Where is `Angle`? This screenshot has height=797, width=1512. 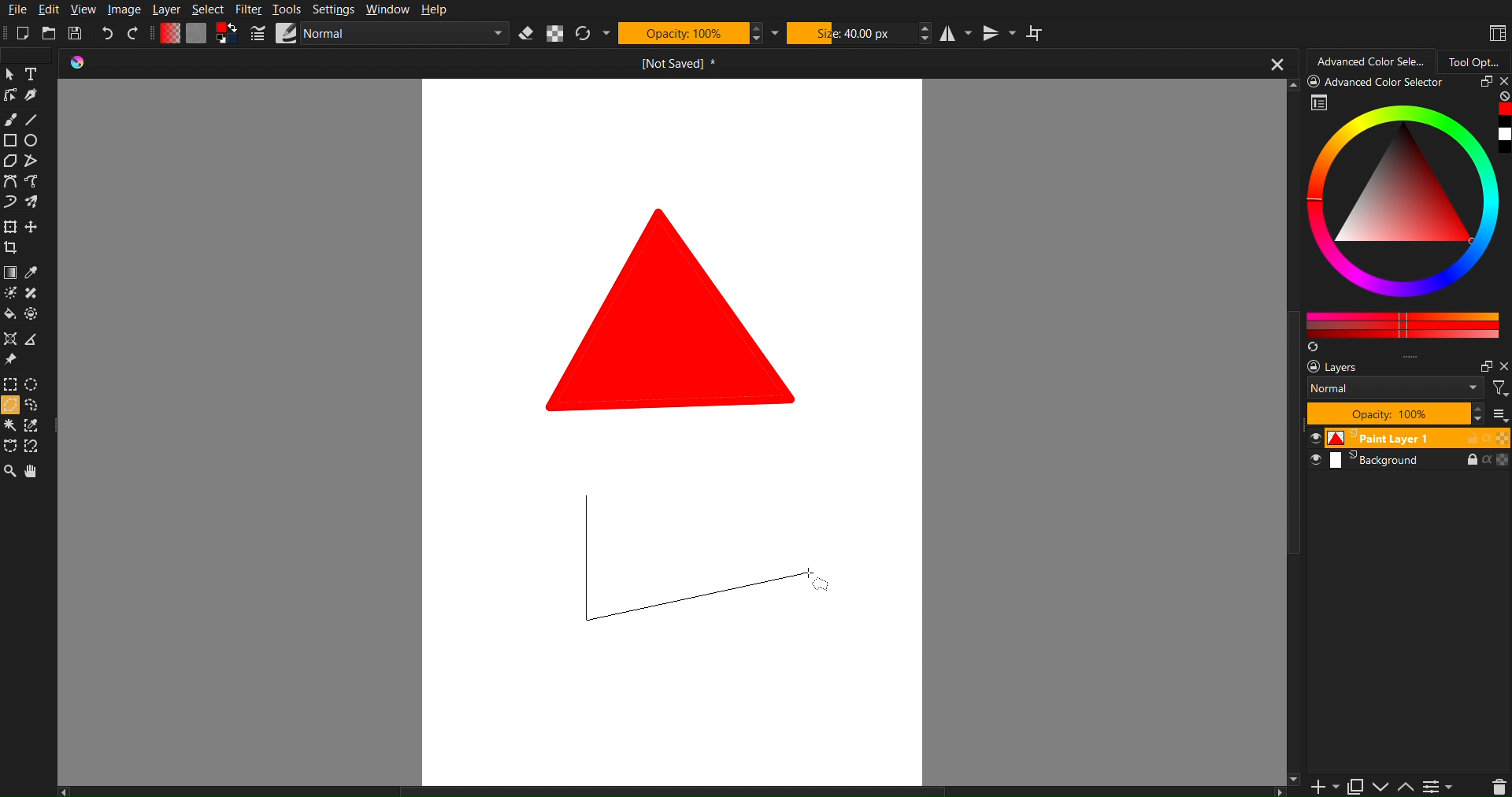
Angle is located at coordinates (34, 445).